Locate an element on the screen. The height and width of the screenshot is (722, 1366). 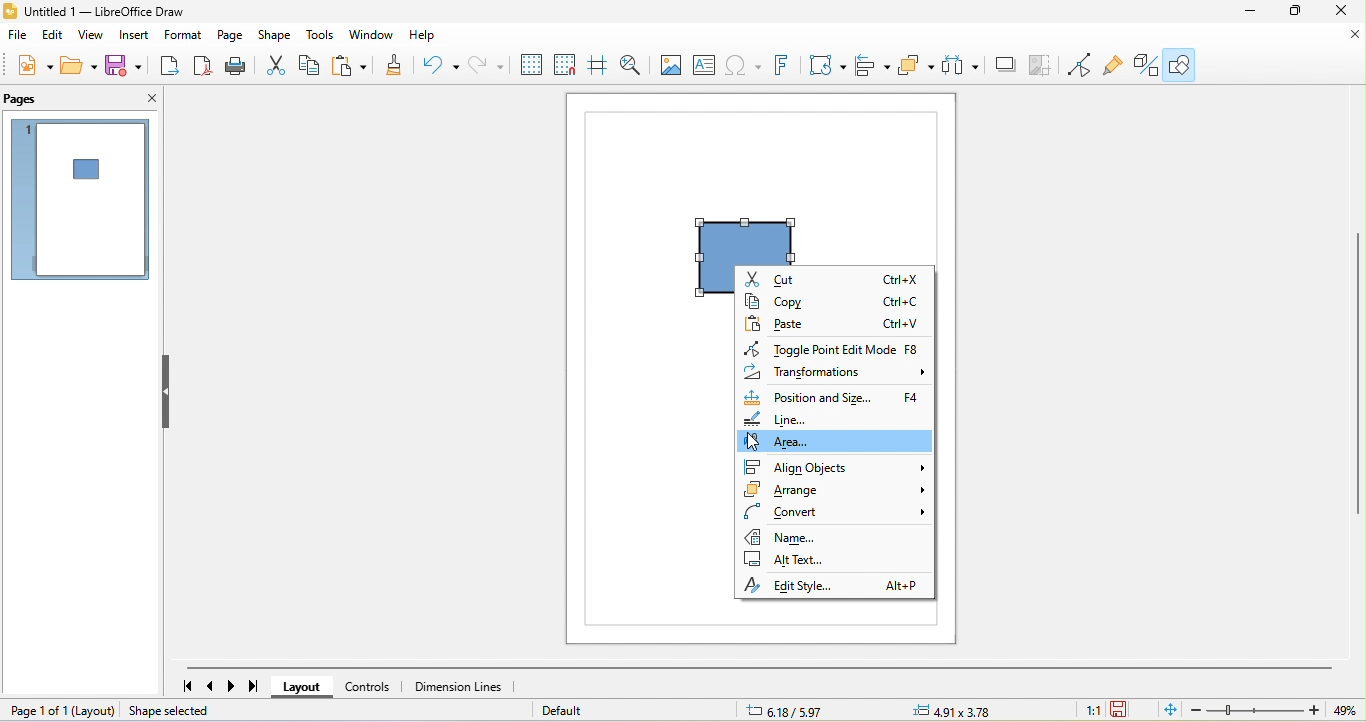
6.18/5.97 is located at coordinates (780, 712).